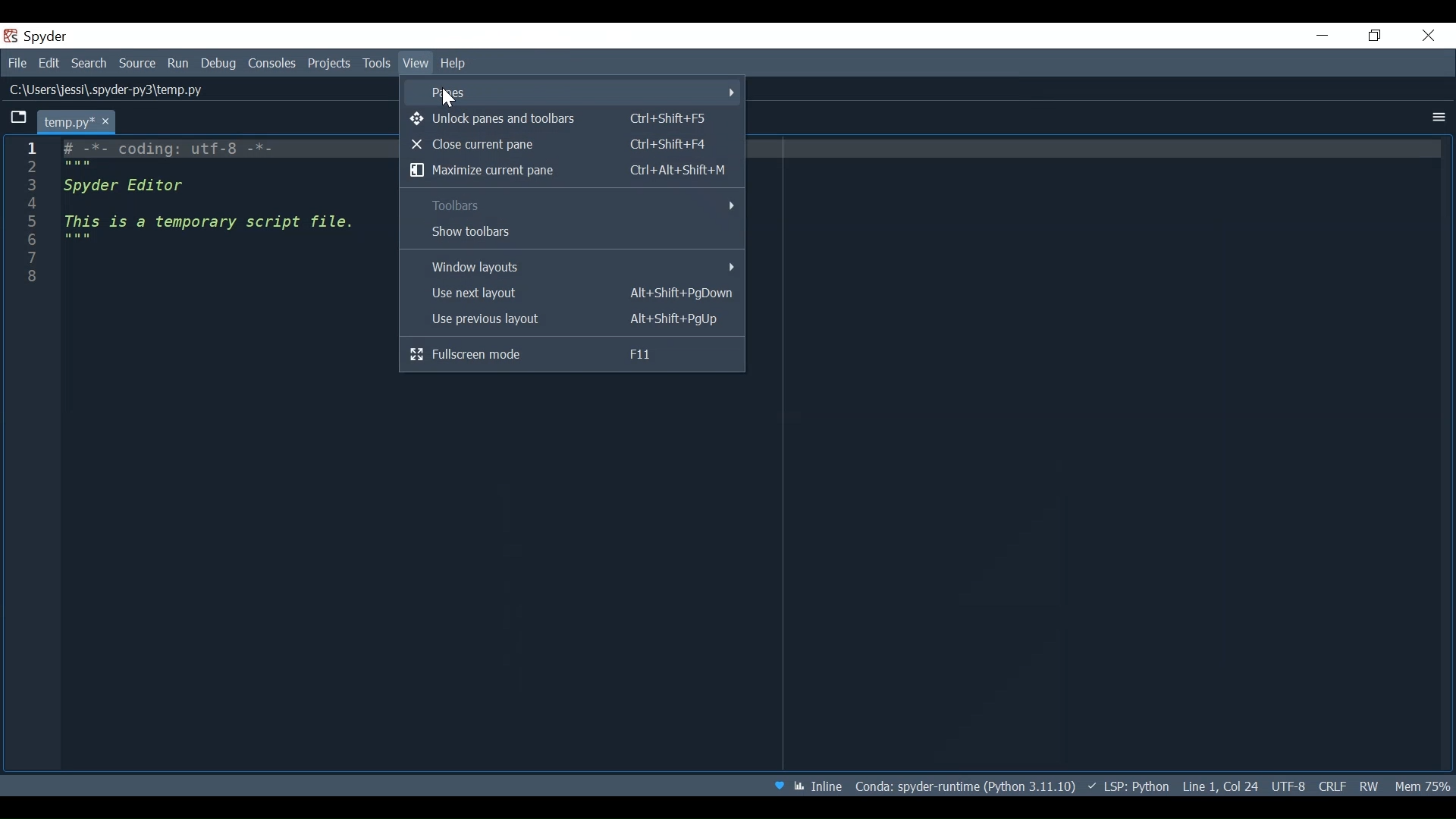  I want to click on Tools, so click(377, 64).